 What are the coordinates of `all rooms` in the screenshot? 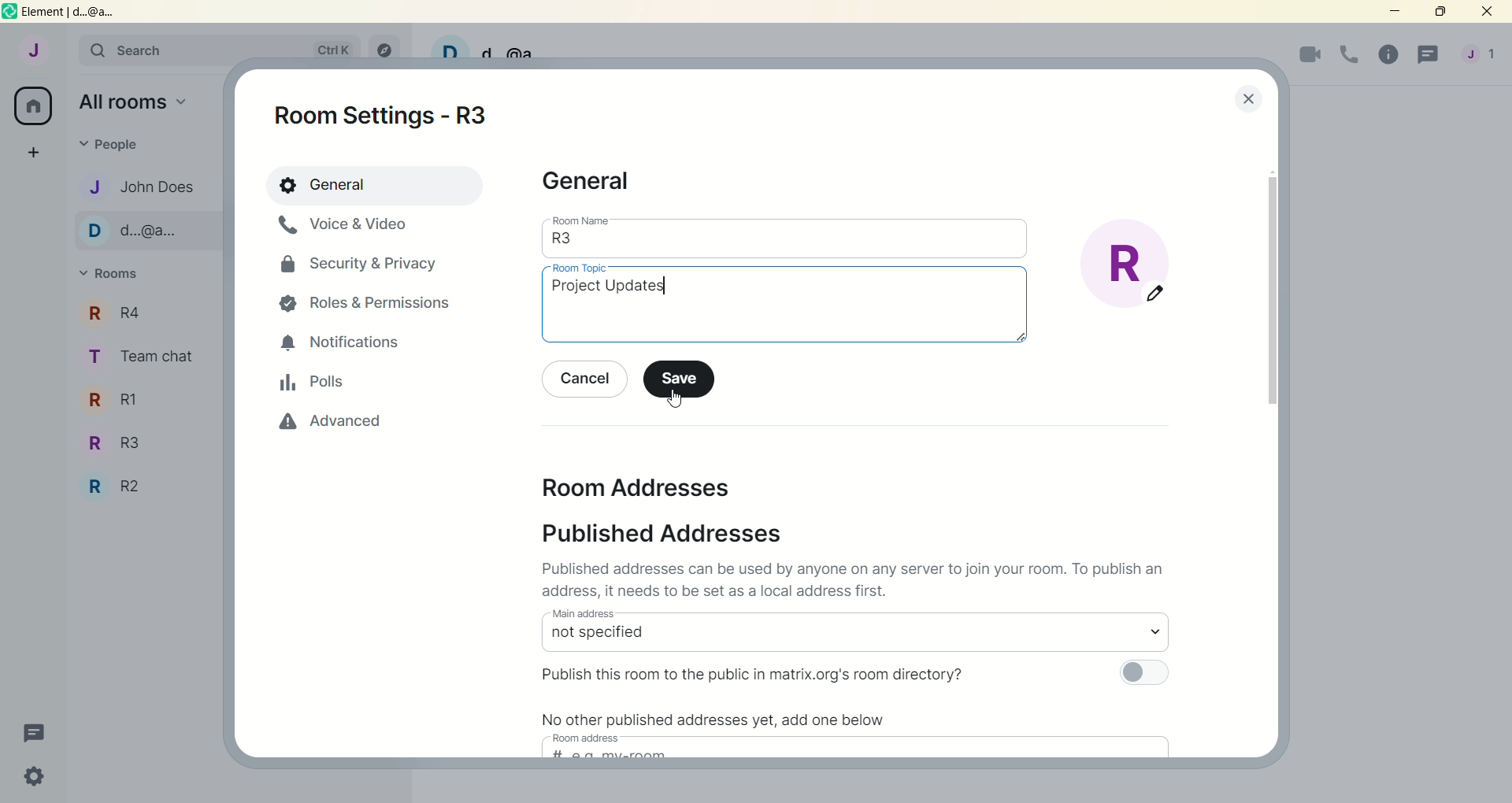 It's located at (139, 101).